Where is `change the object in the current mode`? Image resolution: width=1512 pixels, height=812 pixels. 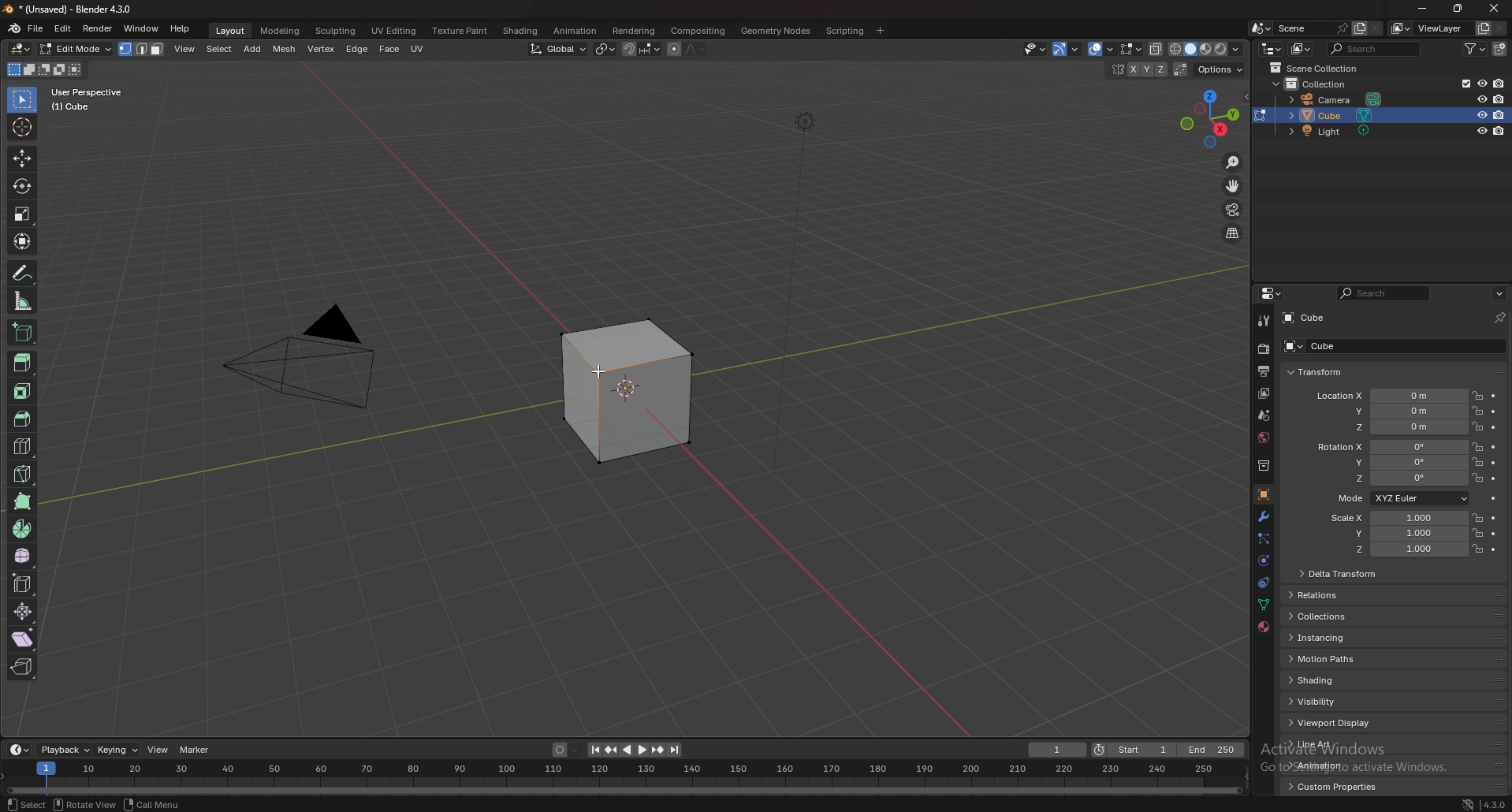
change the object in the current mode is located at coordinates (1261, 115).